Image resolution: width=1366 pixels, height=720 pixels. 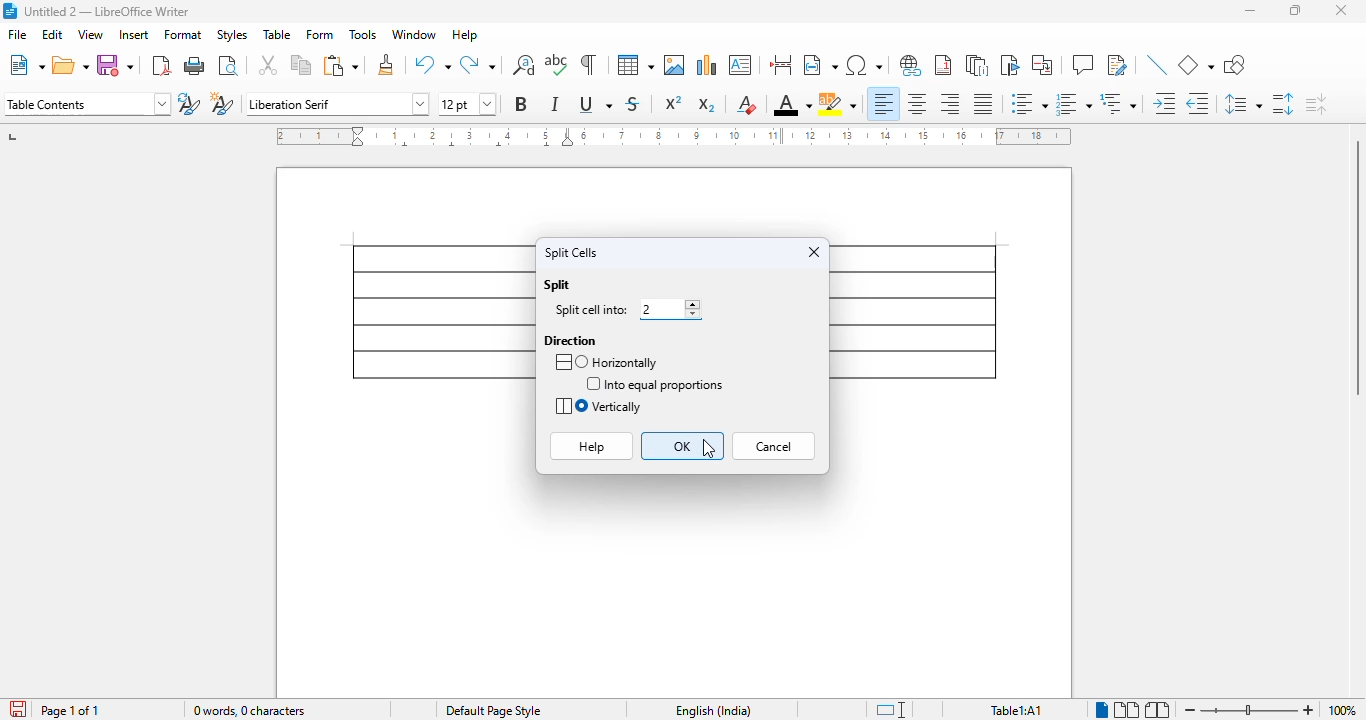 What do you see at coordinates (115, 65) in the screenshot?
I see `save` at bounding box center [115, 65].